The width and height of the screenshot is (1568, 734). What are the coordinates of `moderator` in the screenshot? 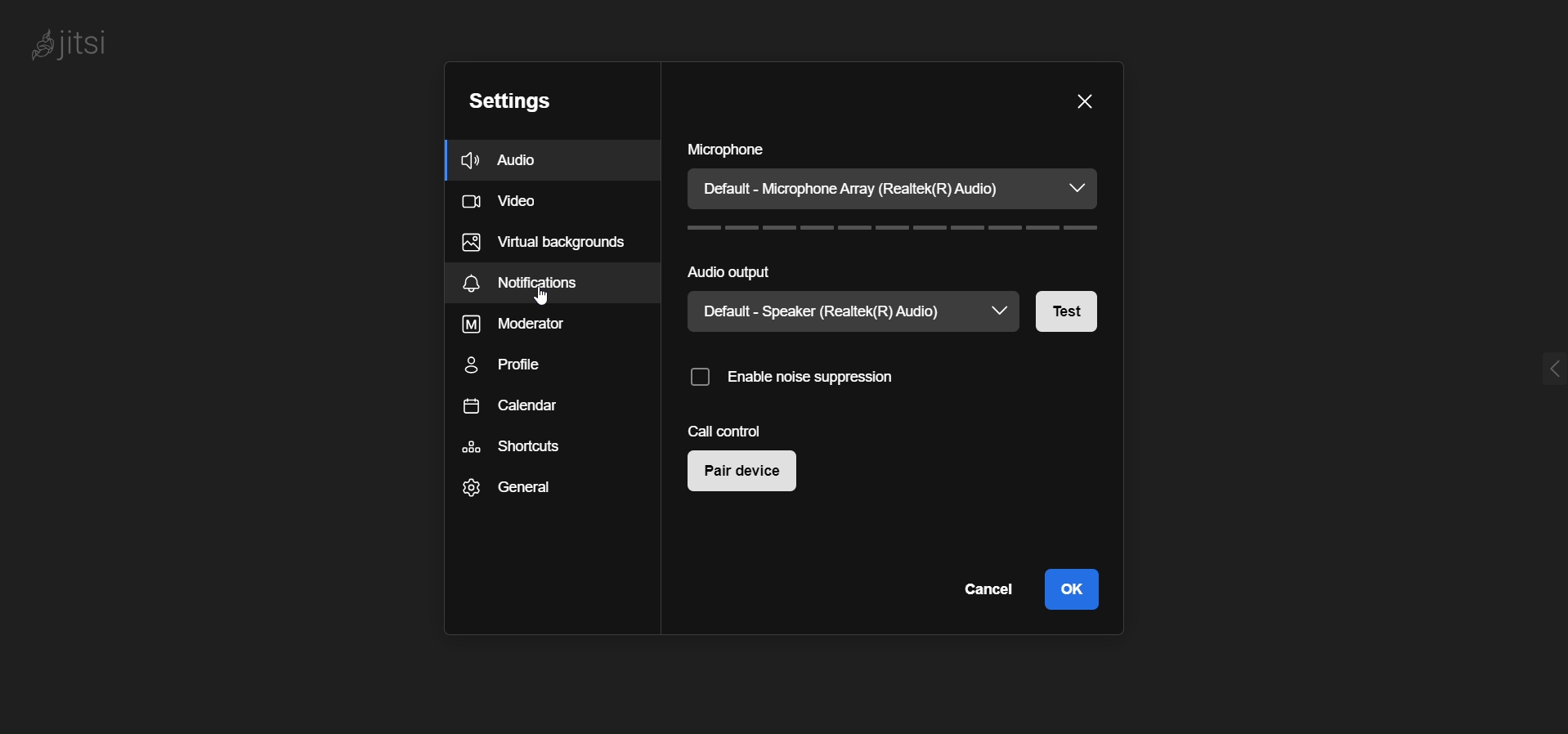 It's located at (523, 327).